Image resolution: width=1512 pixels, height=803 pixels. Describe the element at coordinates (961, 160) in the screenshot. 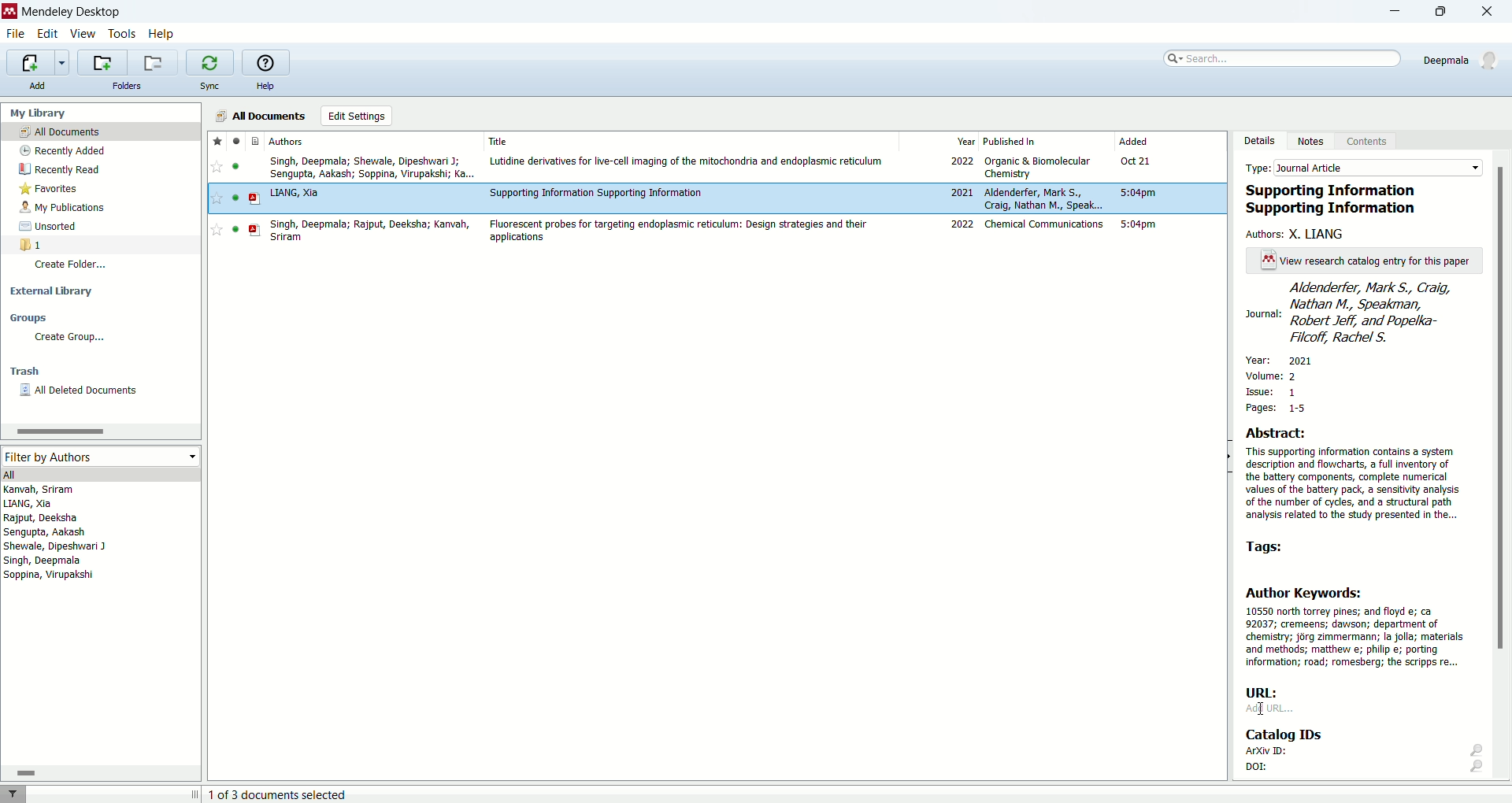

I see `2022` at that location.